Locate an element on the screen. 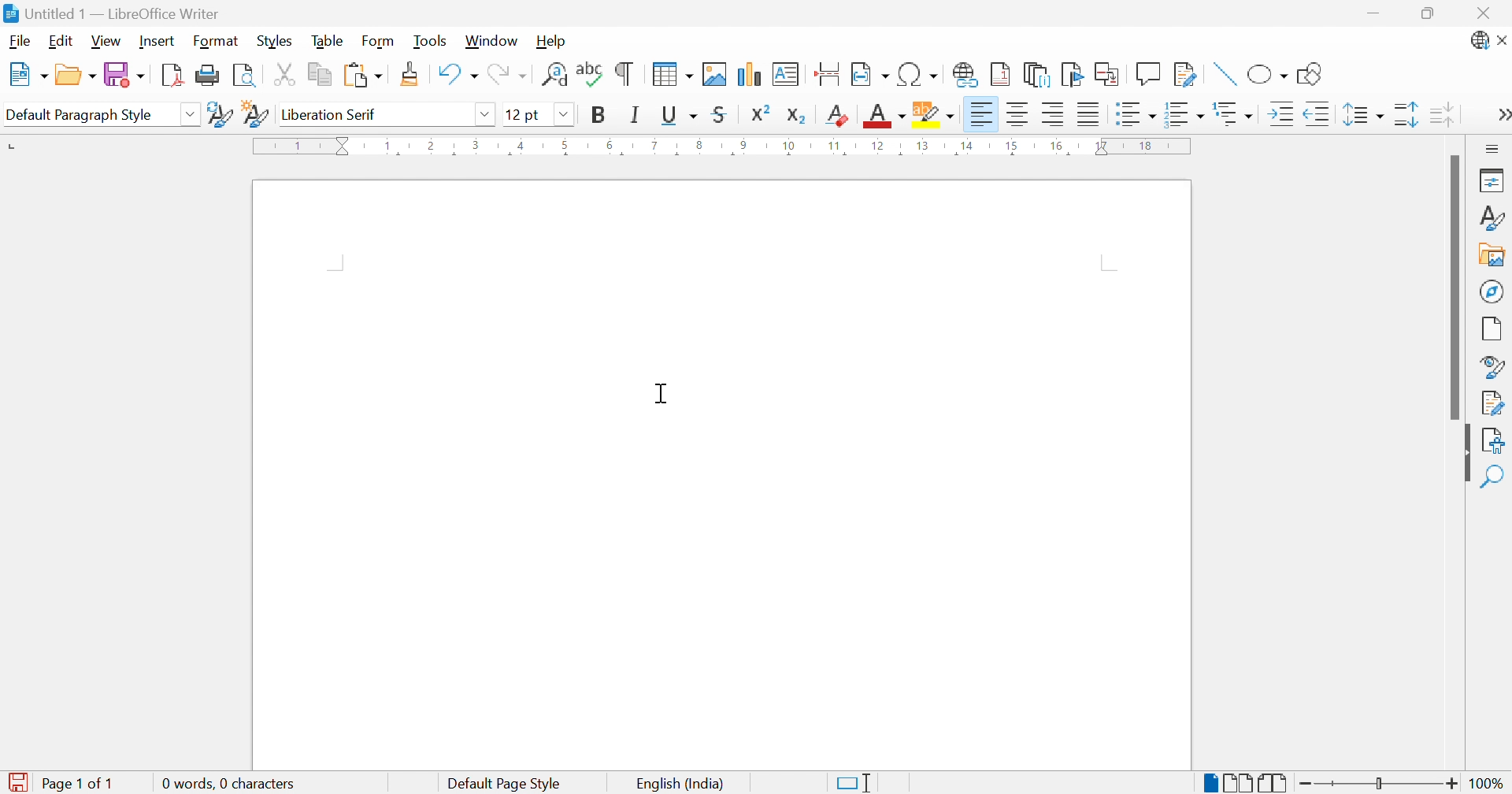 The image size is (1512, 794). Updates available. is located at coordinates (1478, 41).